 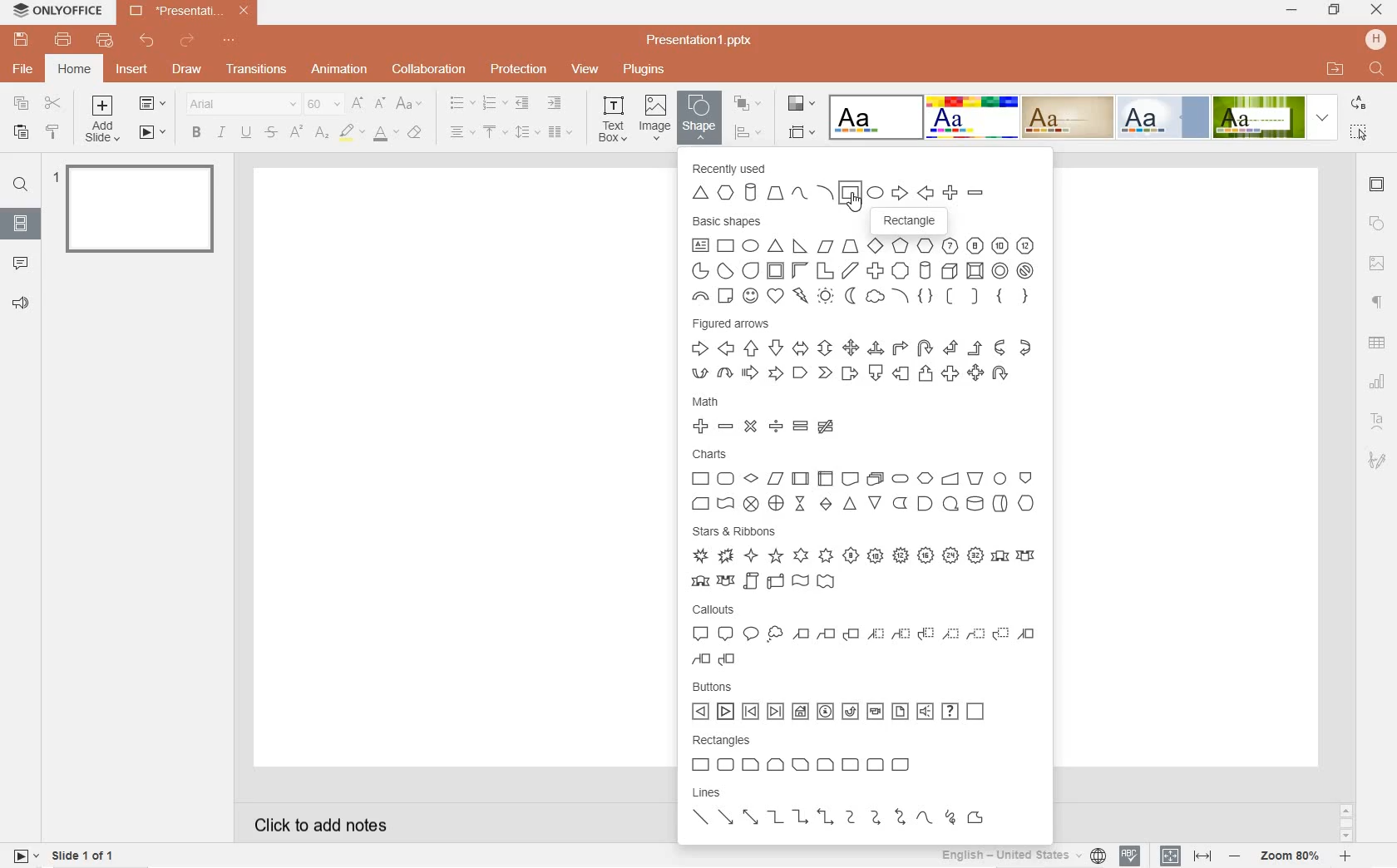 What do you see at coordinates (902, 375) in the screenshot?
I see `Left arrow callout` at bounding box center [902, 375].